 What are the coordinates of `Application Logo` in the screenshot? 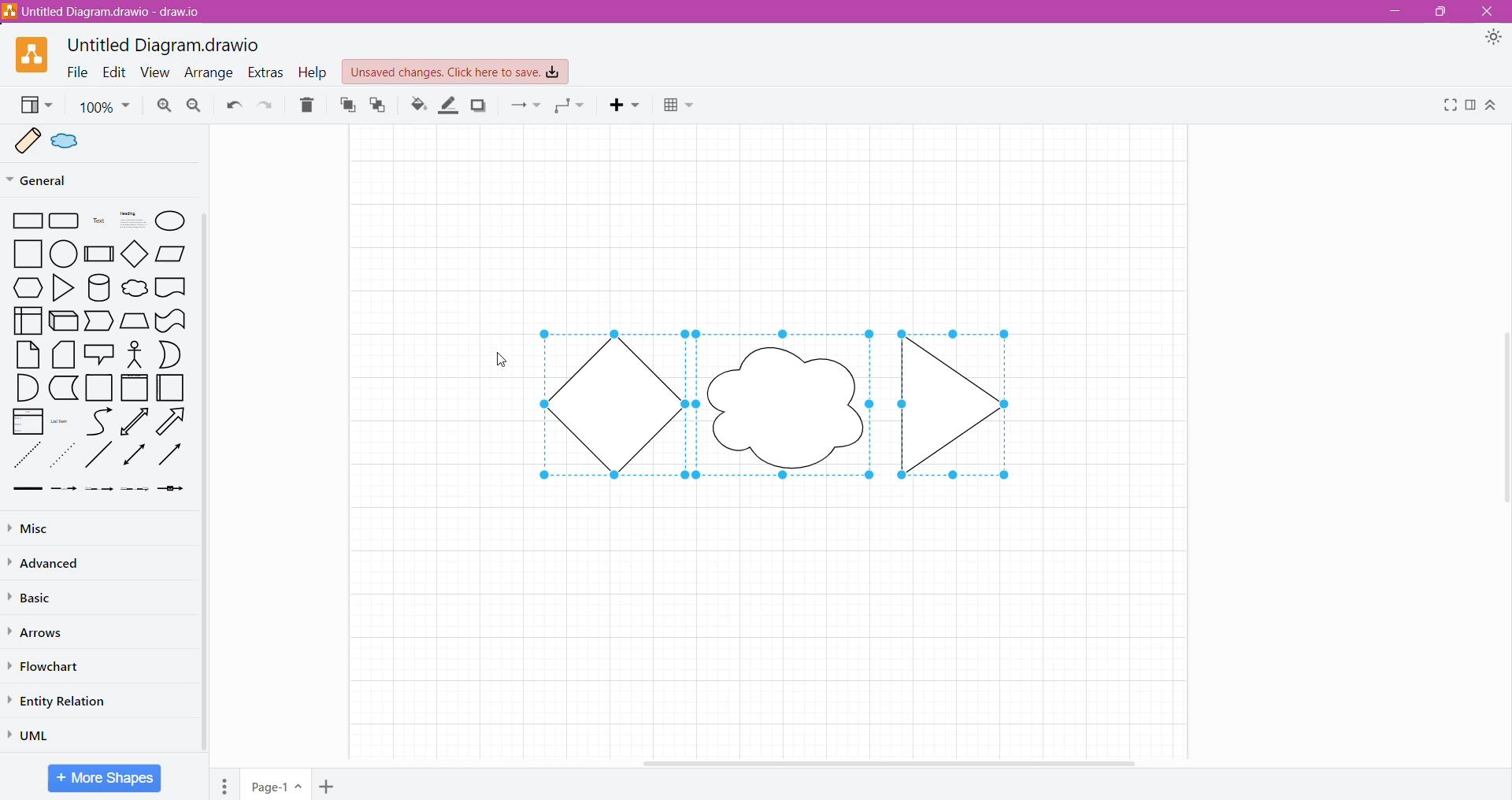 It's located at (24, 54).